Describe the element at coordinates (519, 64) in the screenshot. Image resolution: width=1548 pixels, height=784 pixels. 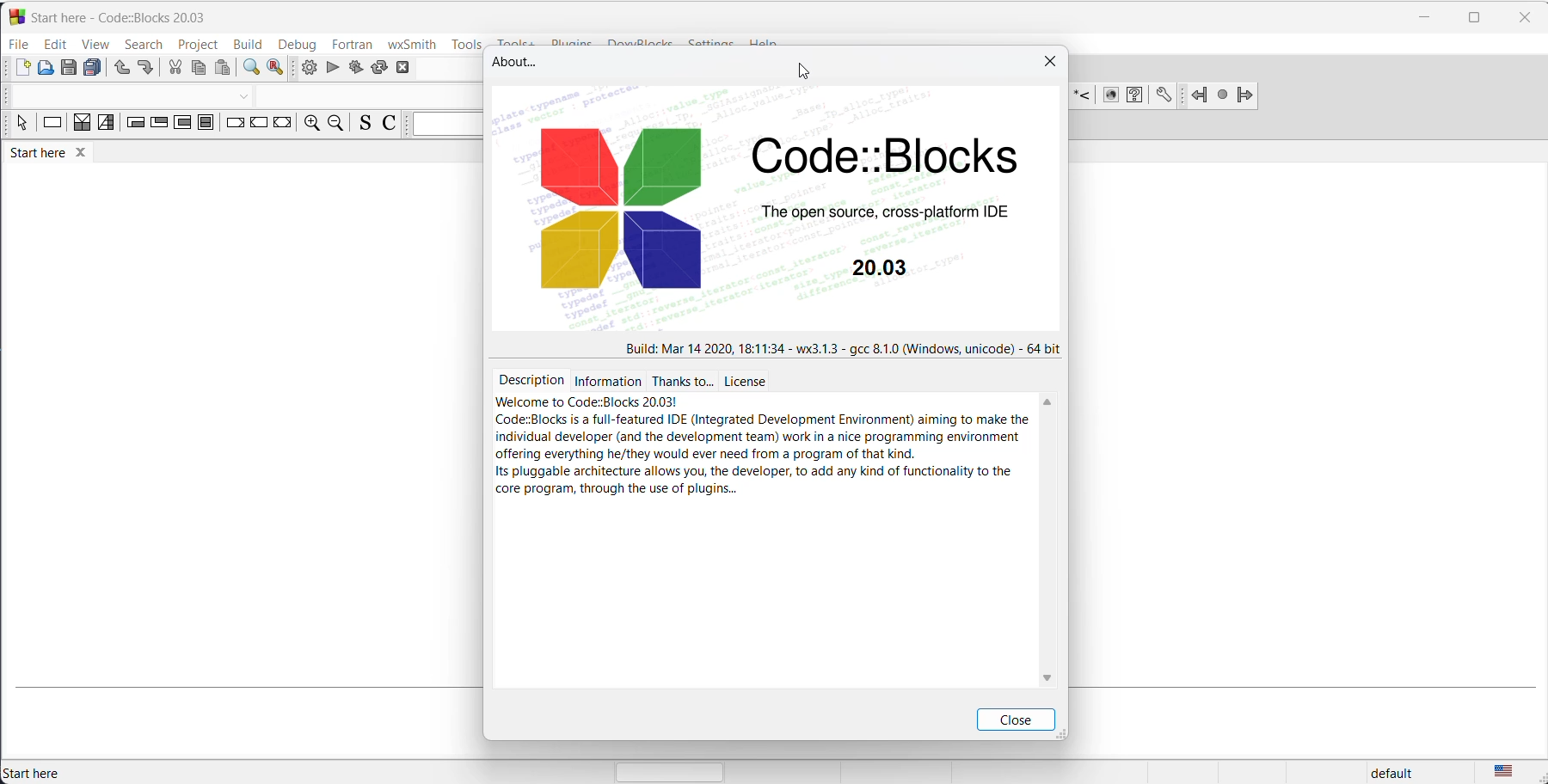
I see `about window` at that location.